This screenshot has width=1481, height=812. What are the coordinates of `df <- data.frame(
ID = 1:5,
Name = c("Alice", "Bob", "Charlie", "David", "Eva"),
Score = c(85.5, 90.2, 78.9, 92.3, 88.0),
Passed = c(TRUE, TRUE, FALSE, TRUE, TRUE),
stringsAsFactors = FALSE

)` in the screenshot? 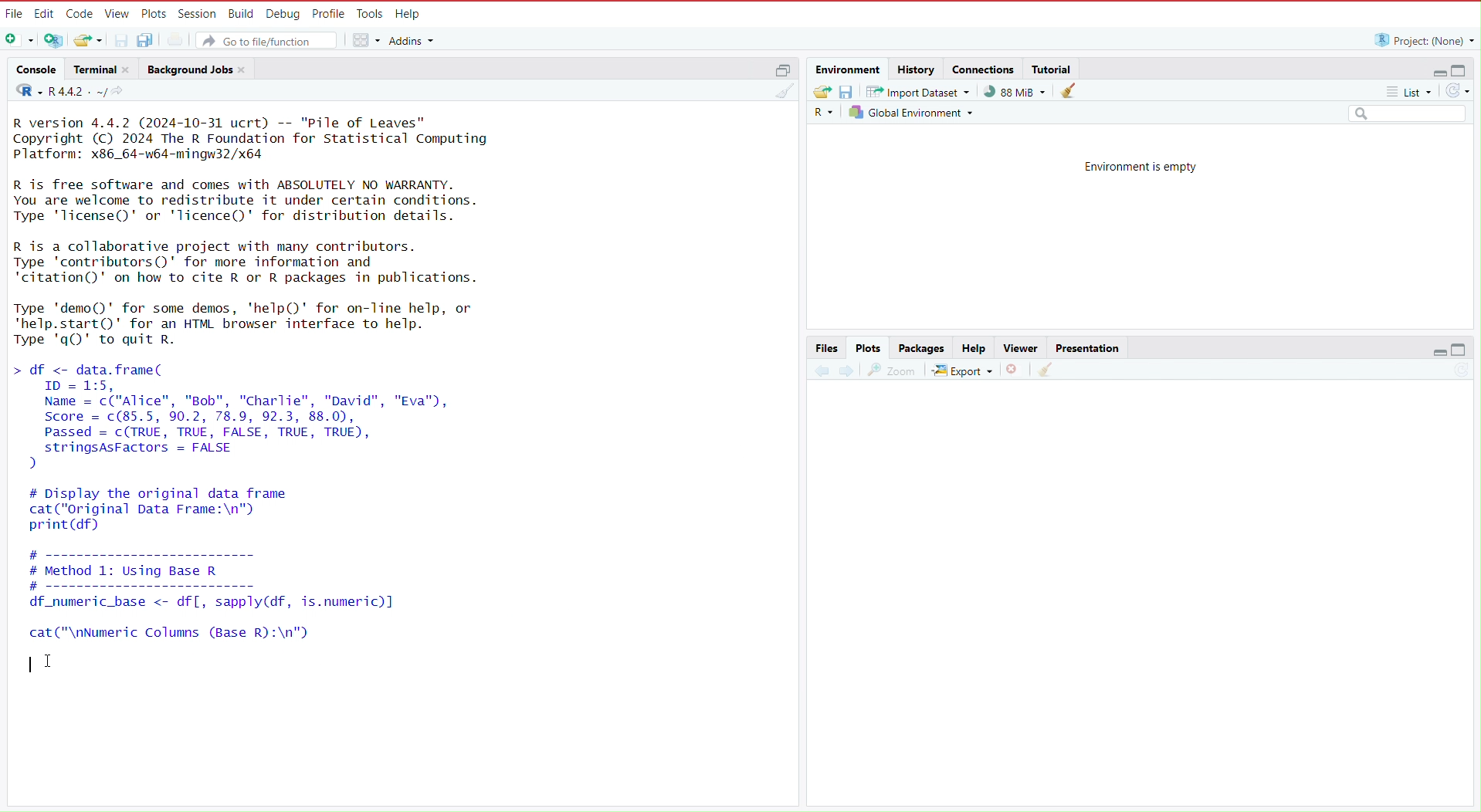 It's located at (252, 416).